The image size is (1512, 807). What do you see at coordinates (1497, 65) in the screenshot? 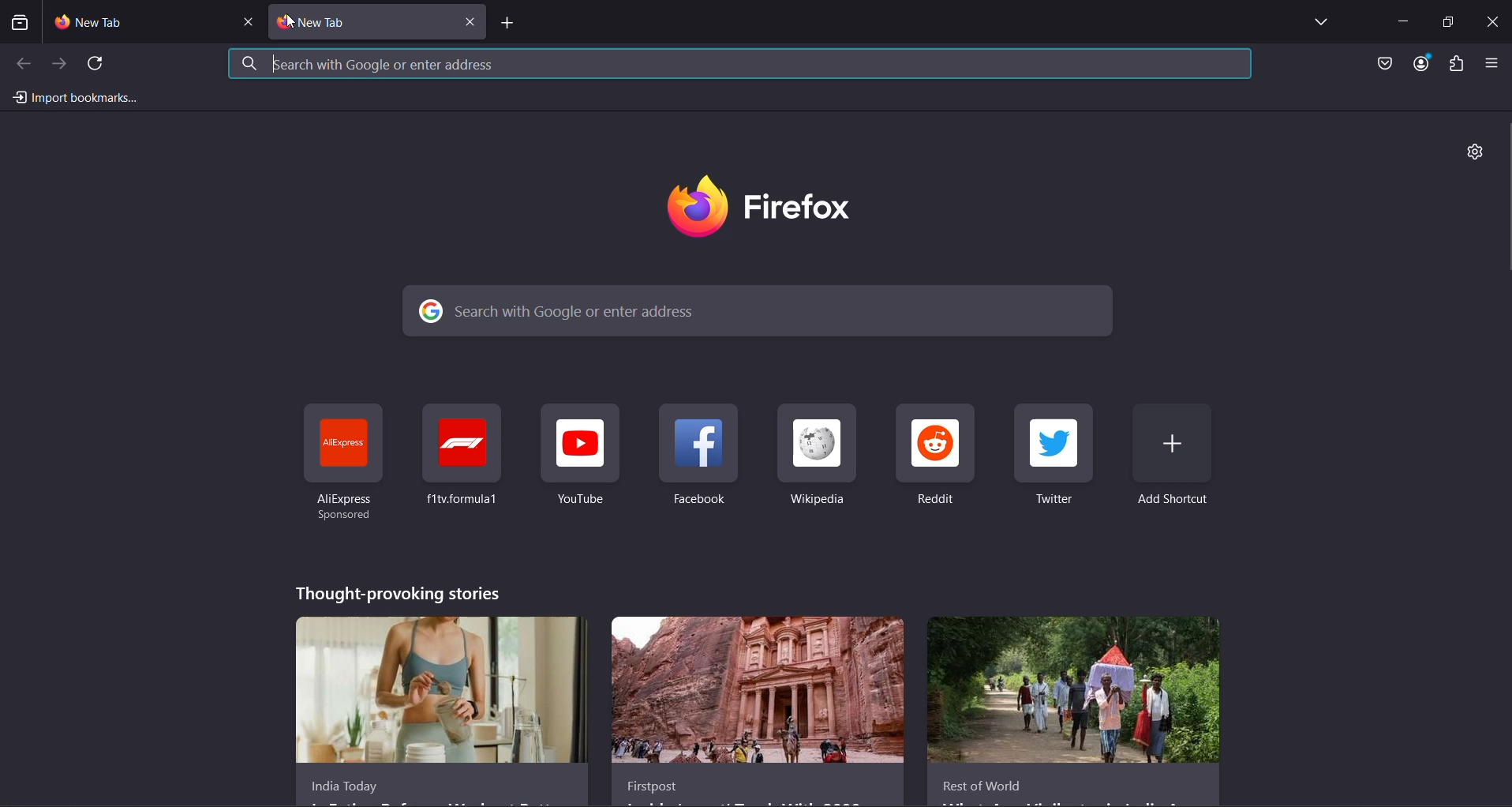
I see `open application menu` at bounding box center [1497, 65].